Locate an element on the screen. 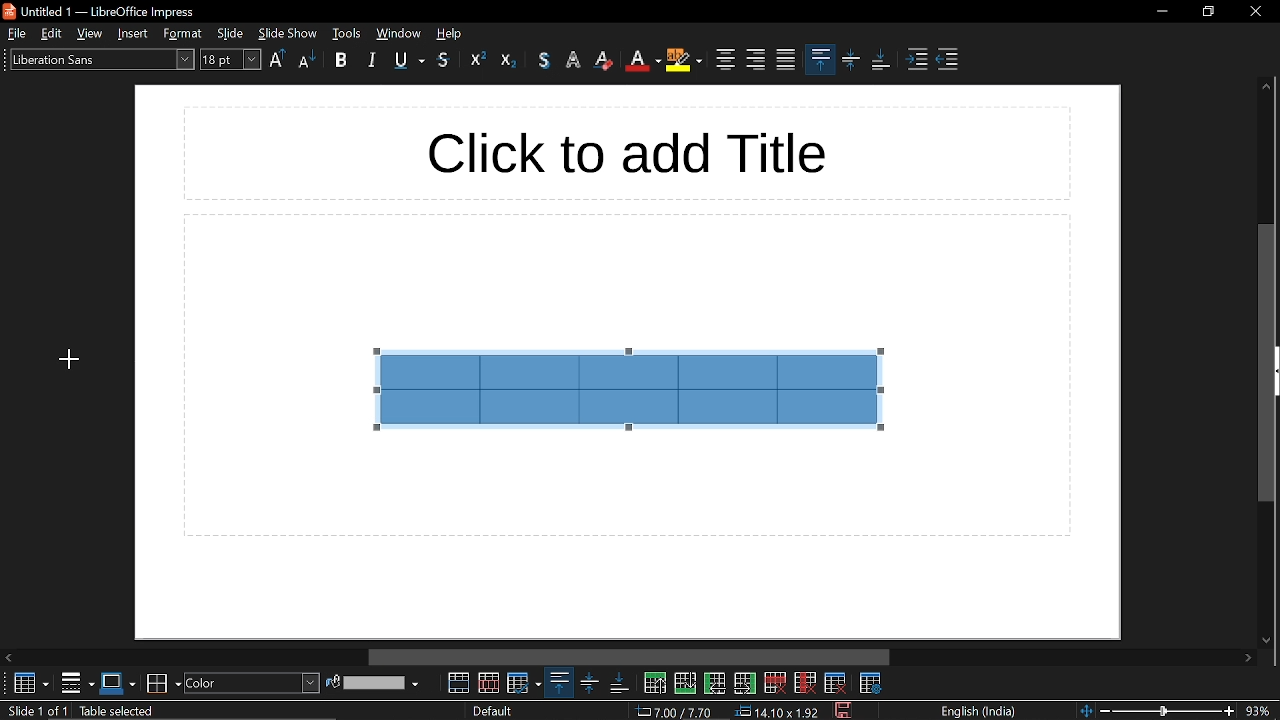 This screenshot has height=720, width=1280. upper case is located at coordinates (277, 58).